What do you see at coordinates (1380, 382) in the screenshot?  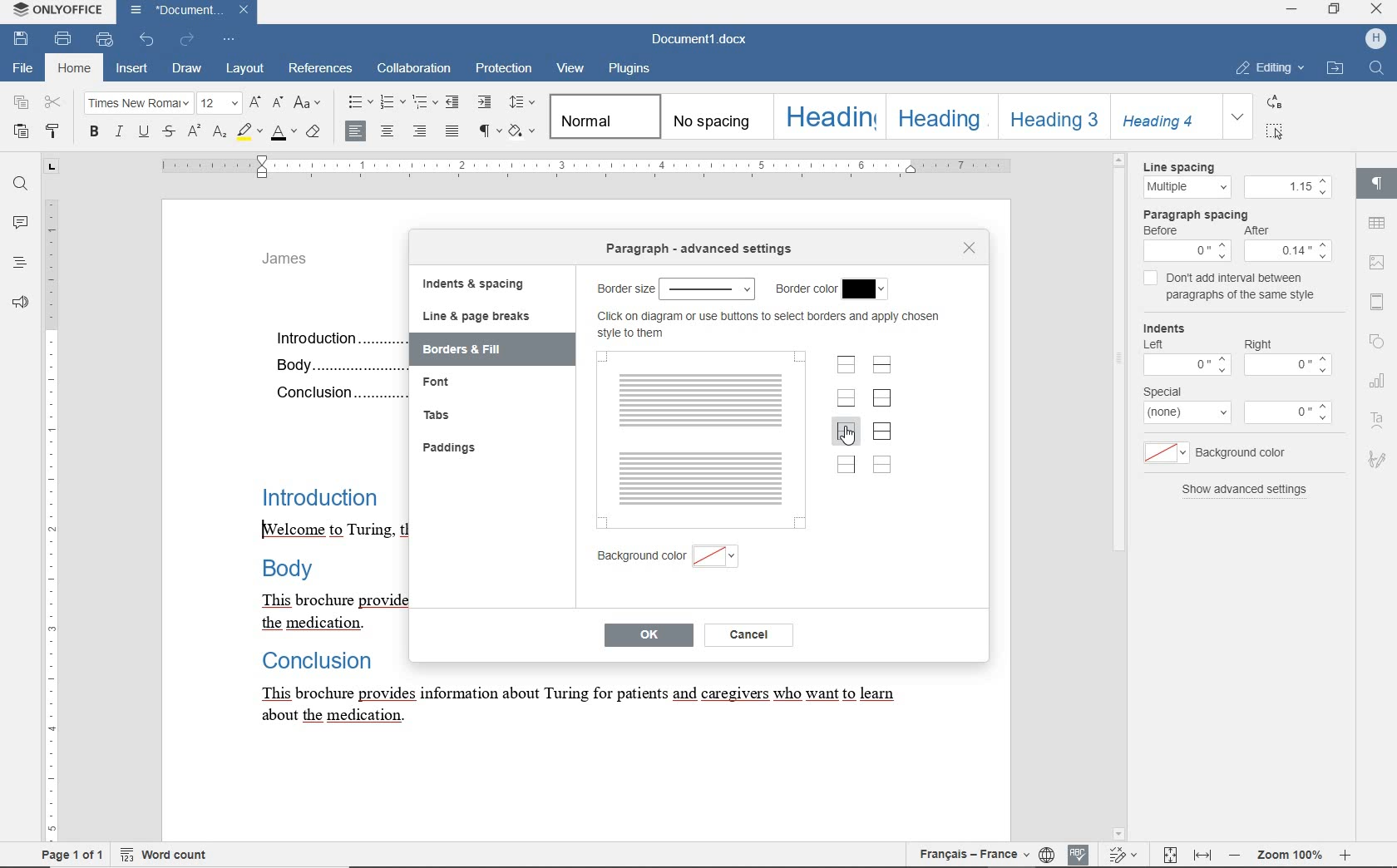 I see `chart` at bounding box center [1380, 382].